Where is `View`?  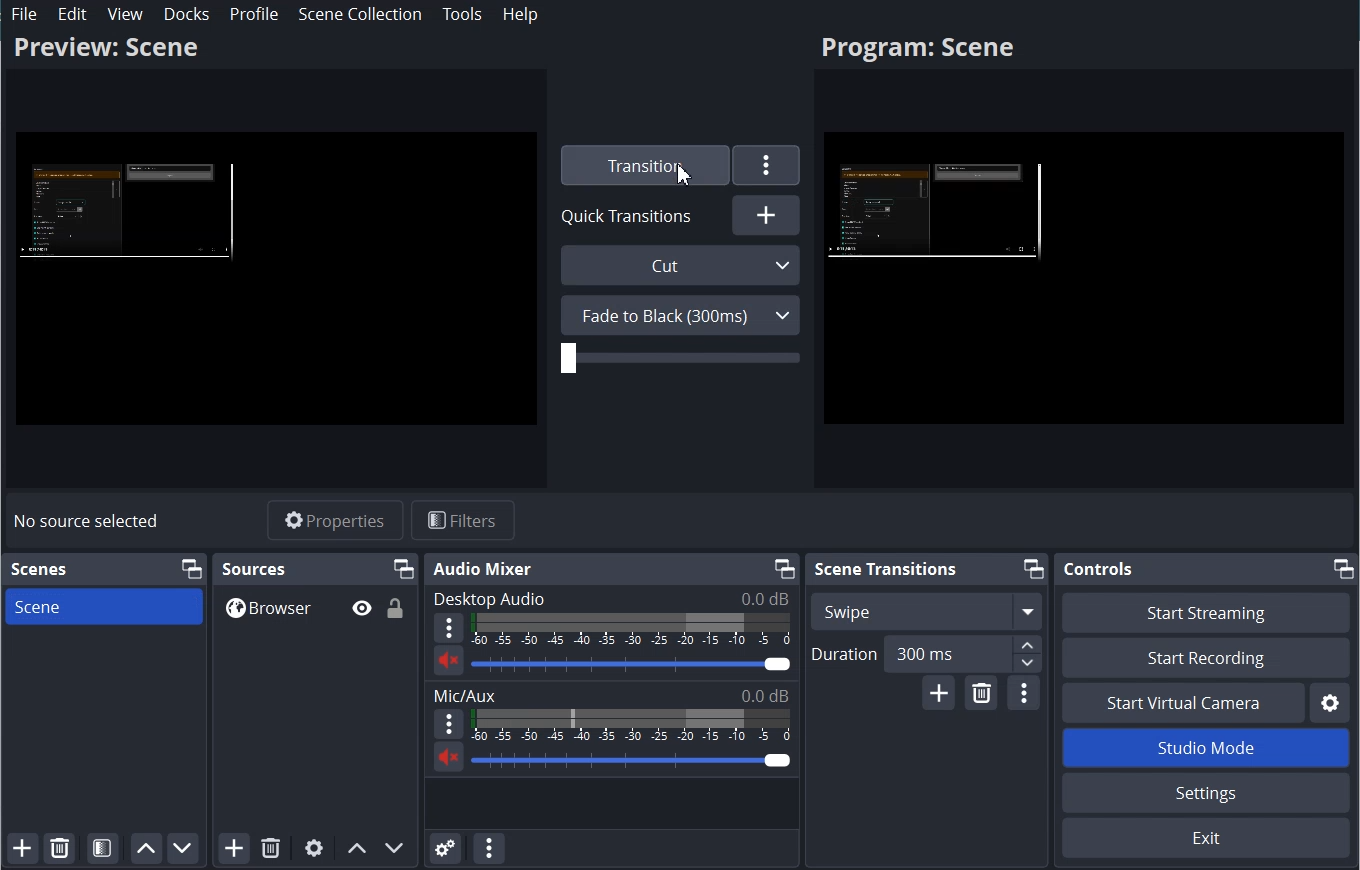 View is located at coordinates (126, 14).